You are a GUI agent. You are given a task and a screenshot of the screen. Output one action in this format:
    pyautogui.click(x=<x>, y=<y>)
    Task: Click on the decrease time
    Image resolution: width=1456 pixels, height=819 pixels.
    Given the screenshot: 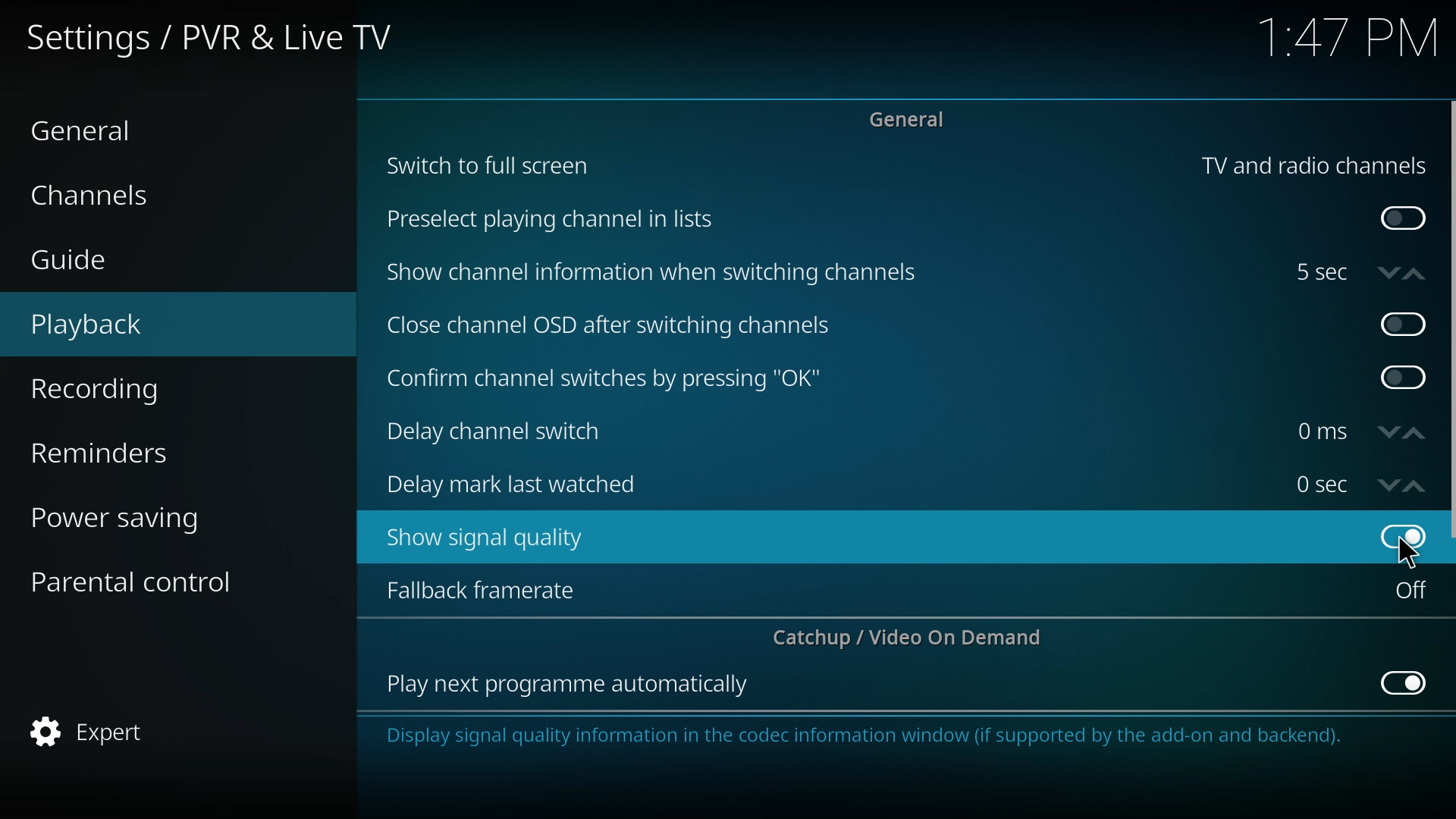 What is the action you would take?
    pyautogui.click(x=1389, y=485)
    